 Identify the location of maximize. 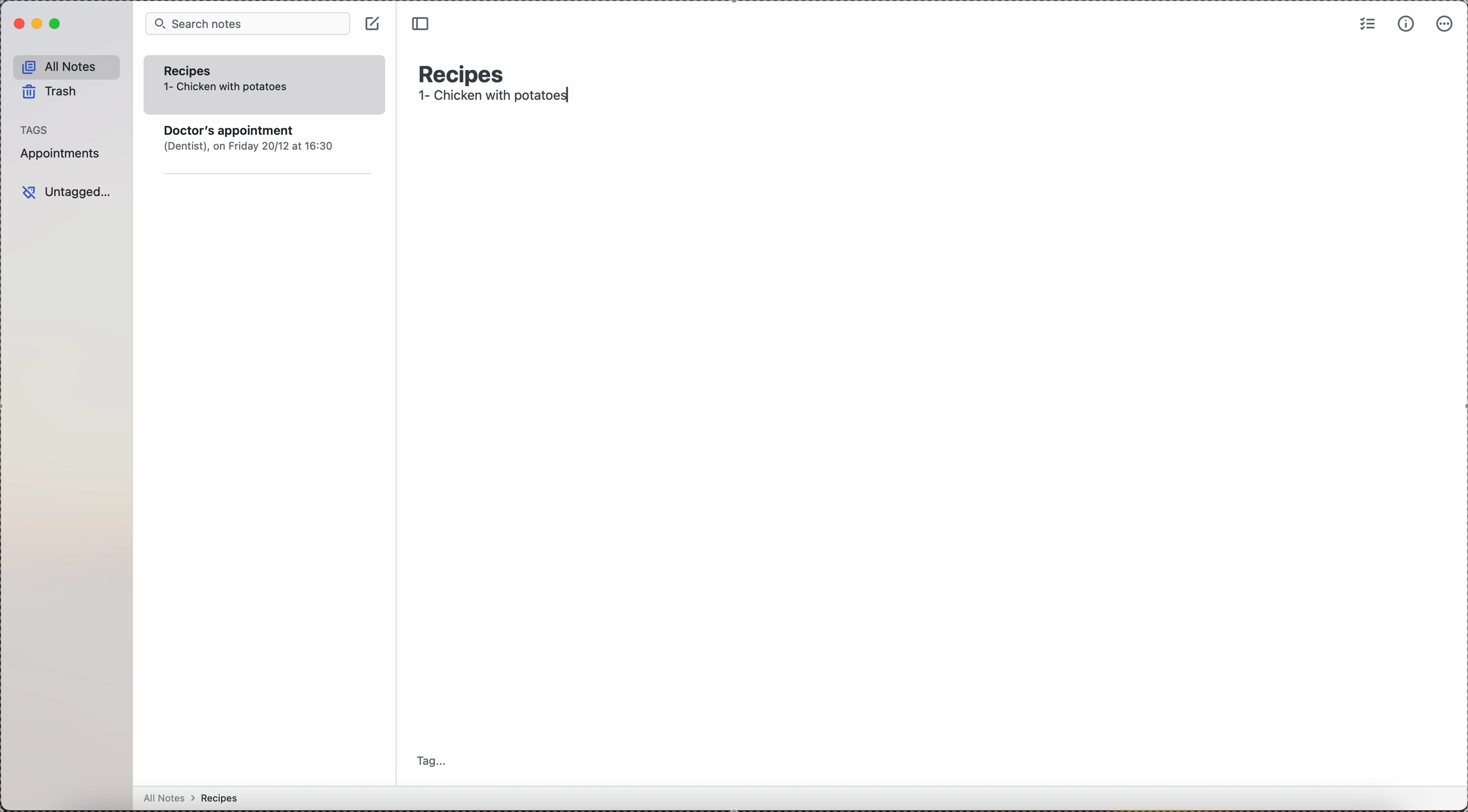
(59, 25).